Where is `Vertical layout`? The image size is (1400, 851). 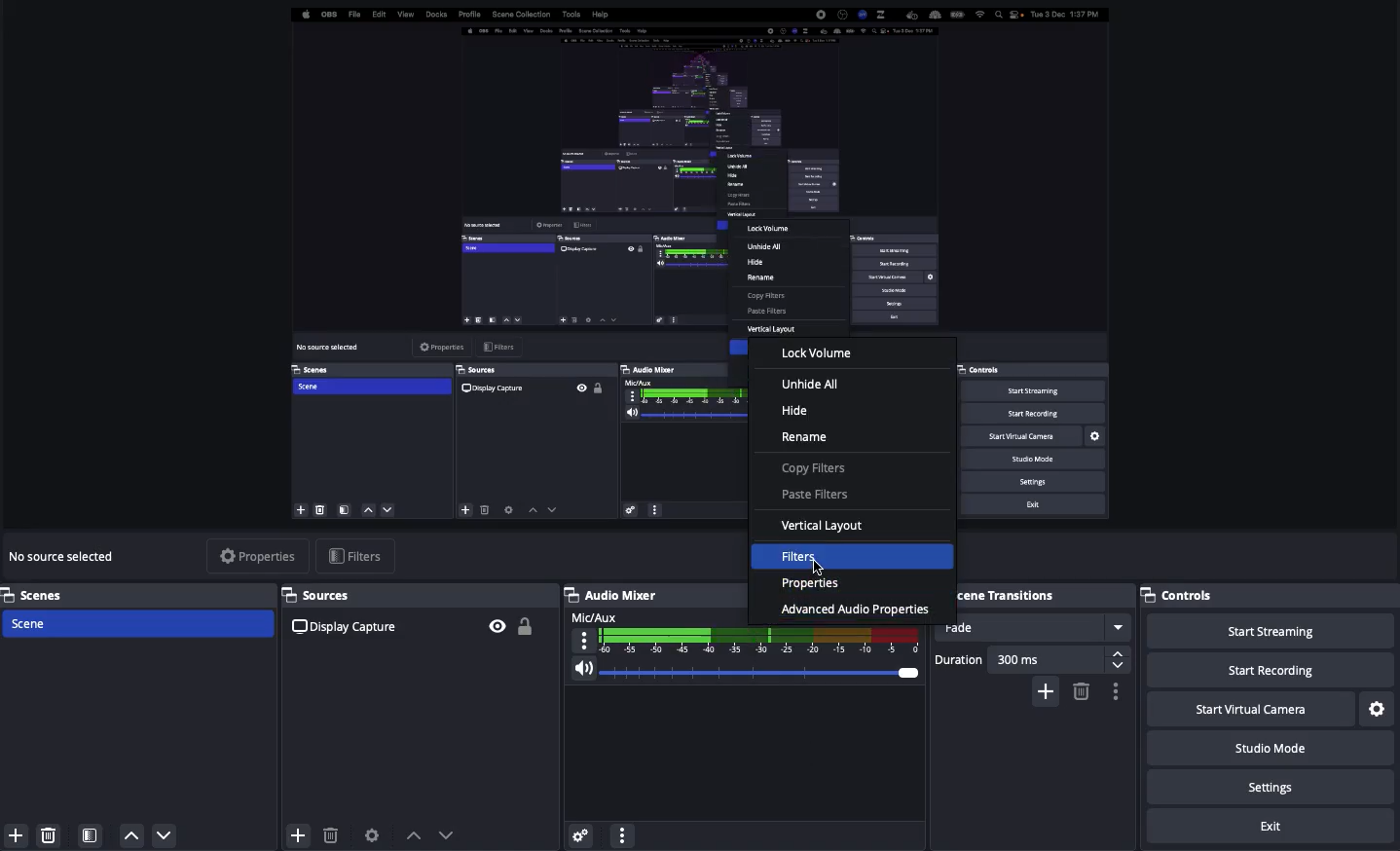 Vertical layout is located at coordinates (823, 527).